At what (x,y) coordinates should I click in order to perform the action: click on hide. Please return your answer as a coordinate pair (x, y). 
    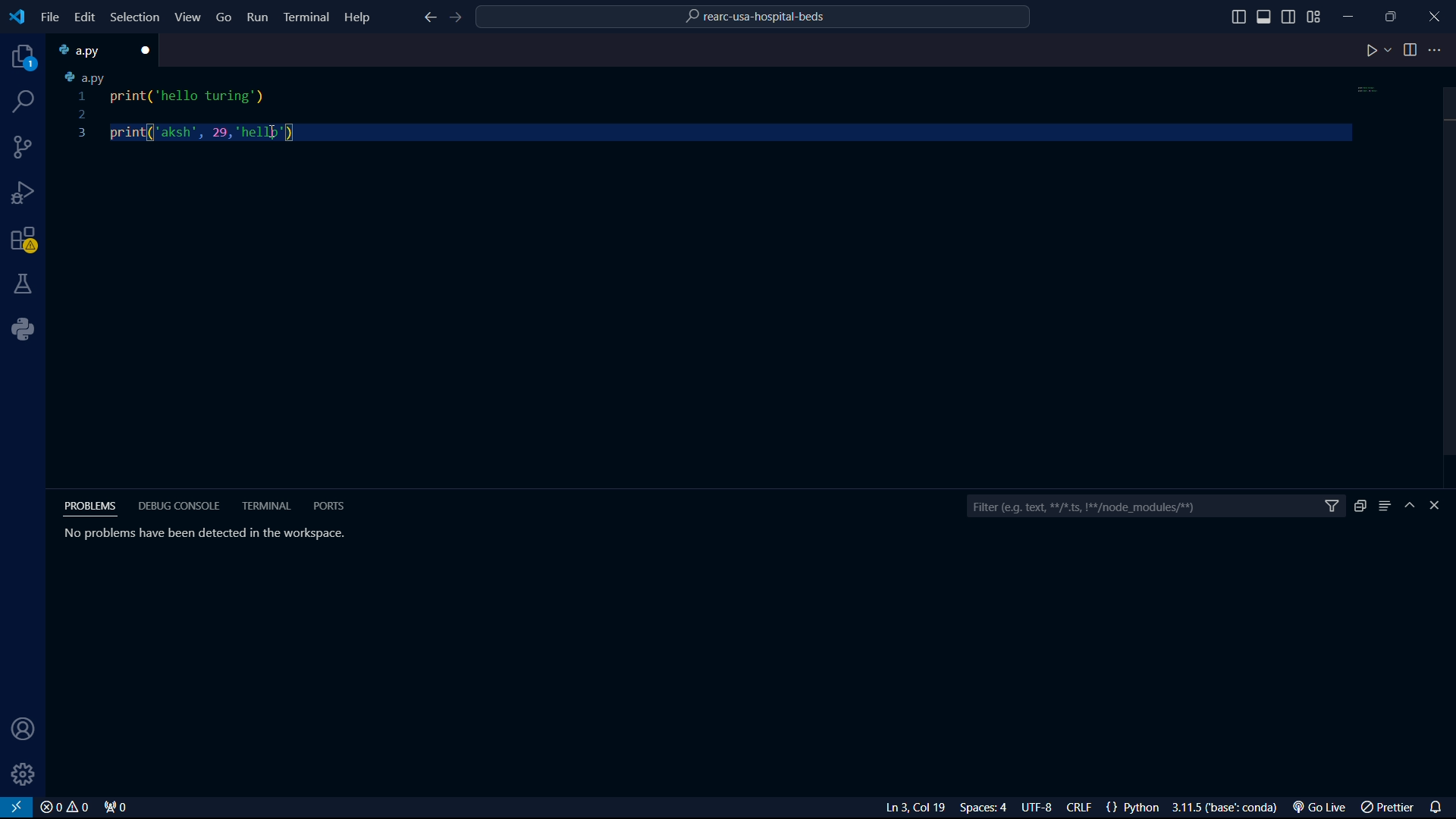
    Looking at the image, I should click on (1412, 507).